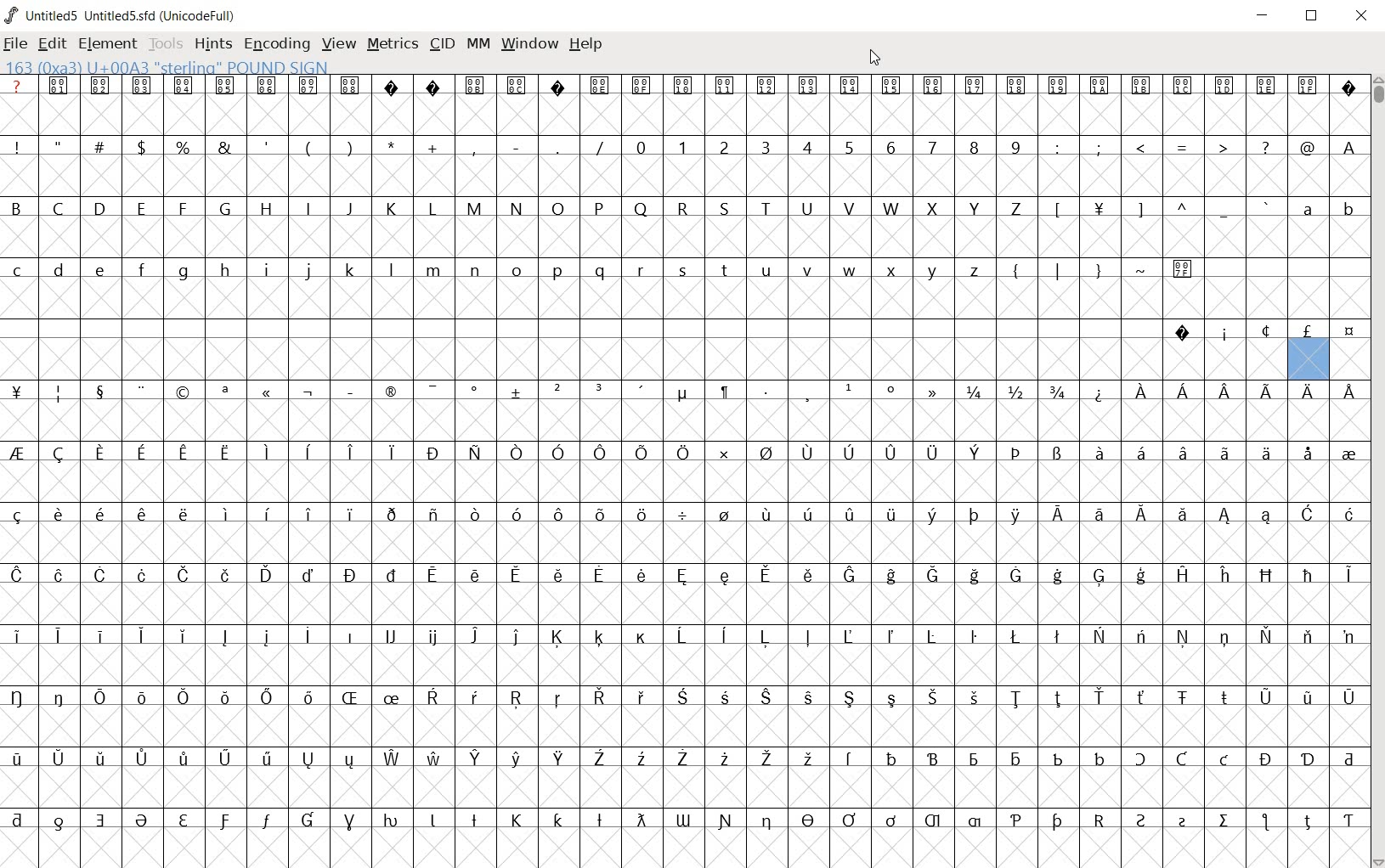 The height and width of the screenshot is (868, 1385). Describe the element at coordinates (173, 65) in the screenshot. I see `163 (Oxa3 00A3 “sterling” POUND SIGN` at that location.